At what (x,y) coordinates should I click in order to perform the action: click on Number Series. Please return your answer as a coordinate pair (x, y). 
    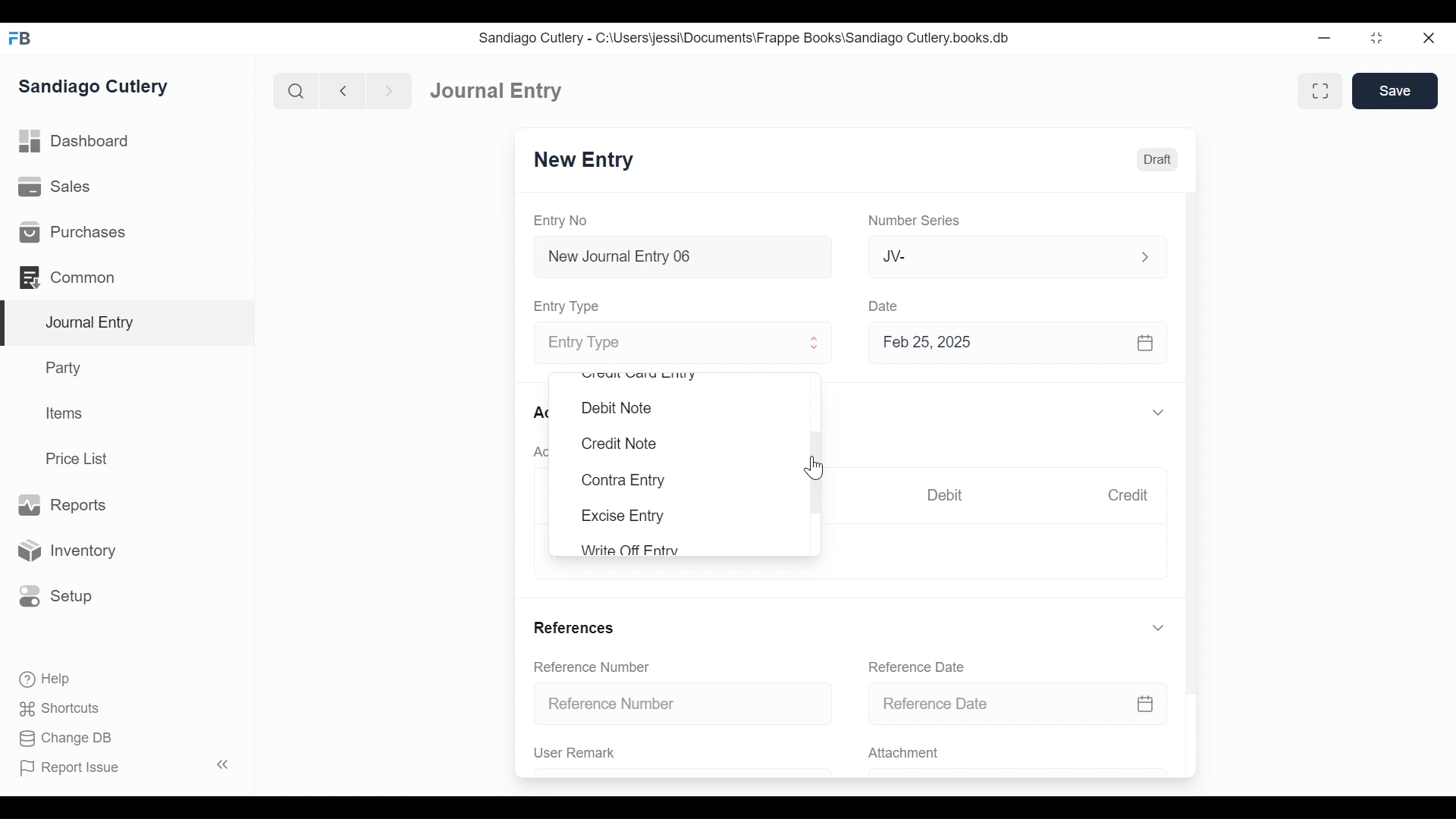
    Looking at the image, I should click on (917, 221).